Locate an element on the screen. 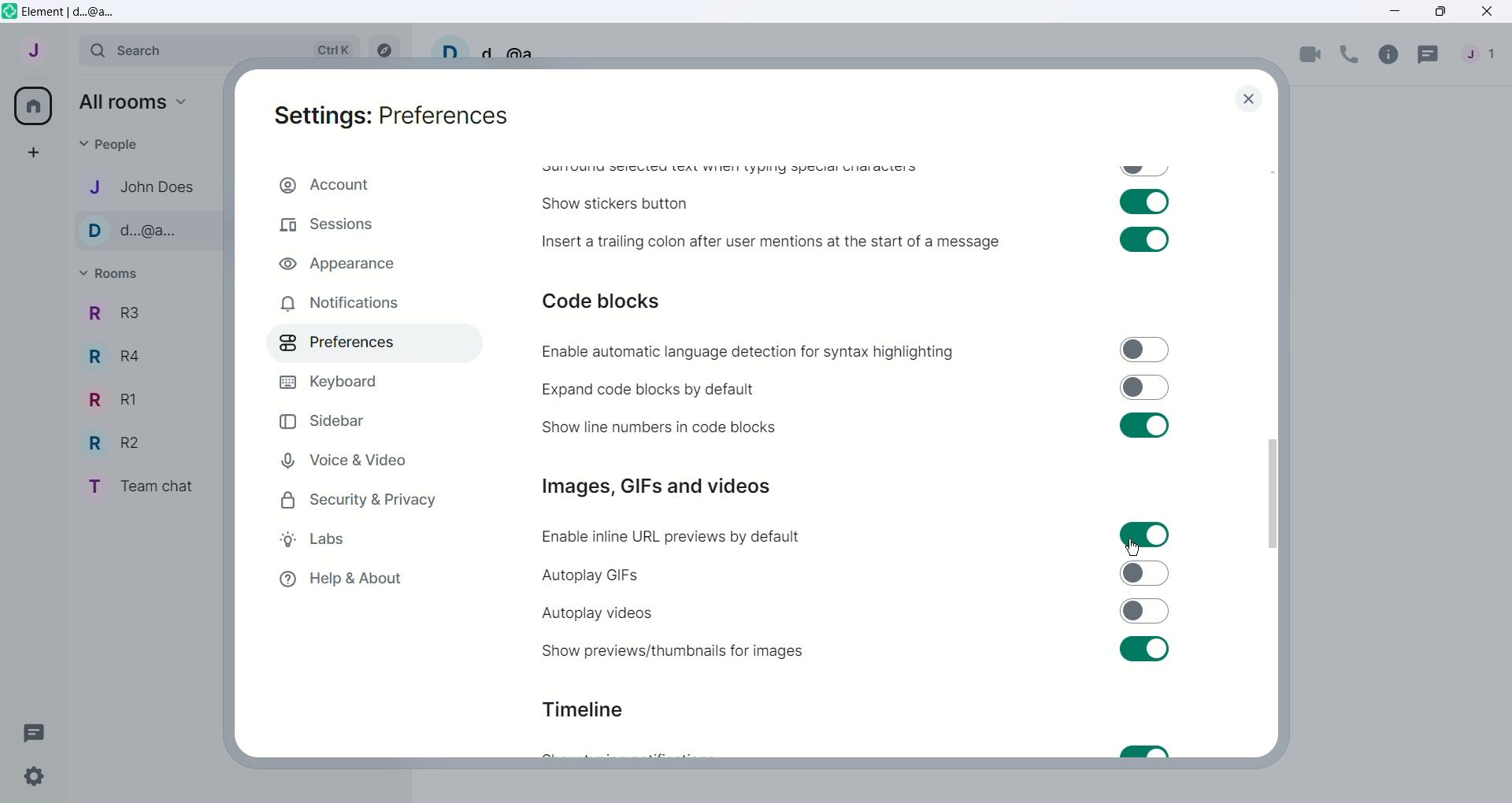  Toggle switch on is located at coordinates (1145, 751).